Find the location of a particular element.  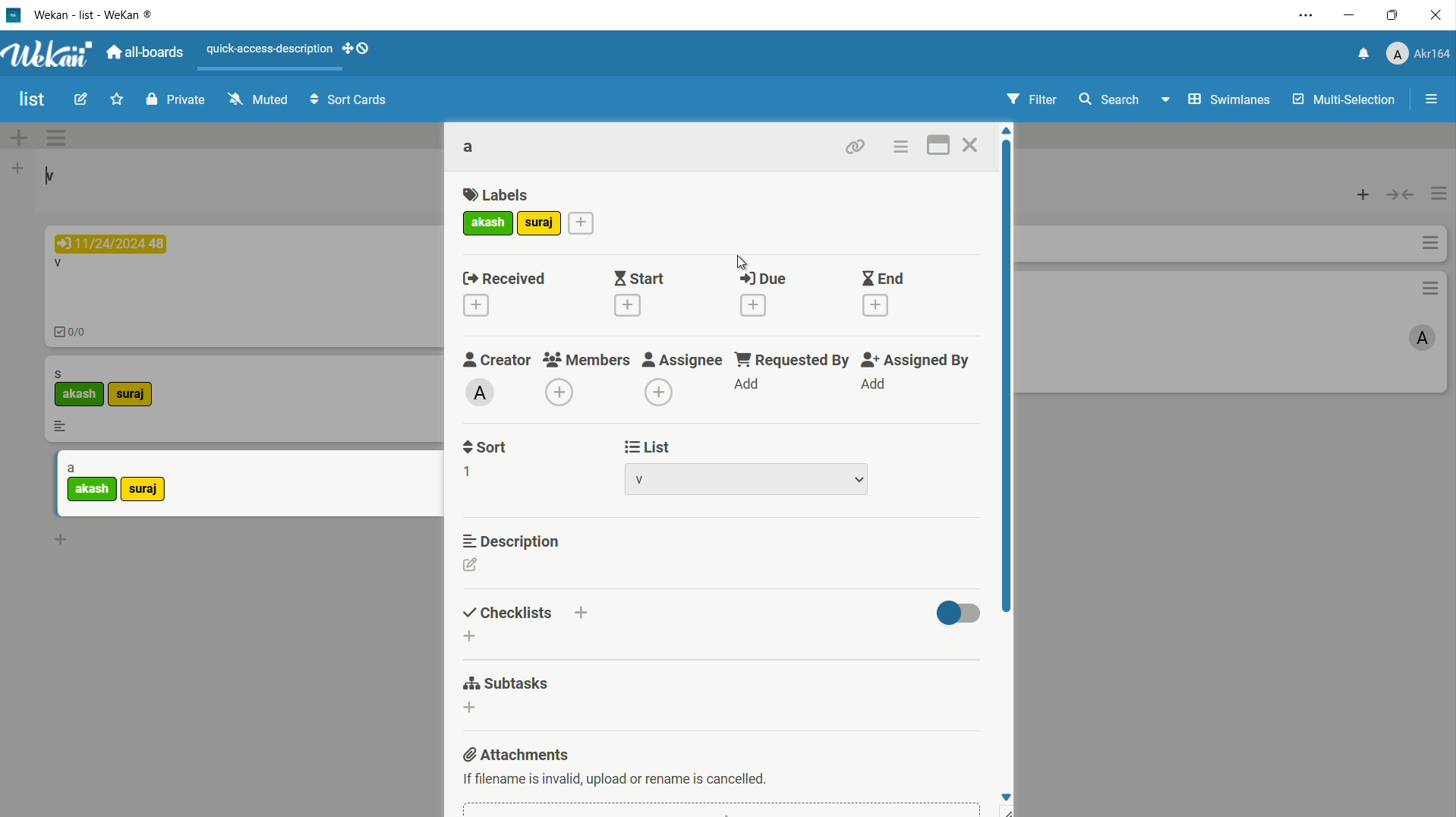

add is located at coordinates (653, 392).